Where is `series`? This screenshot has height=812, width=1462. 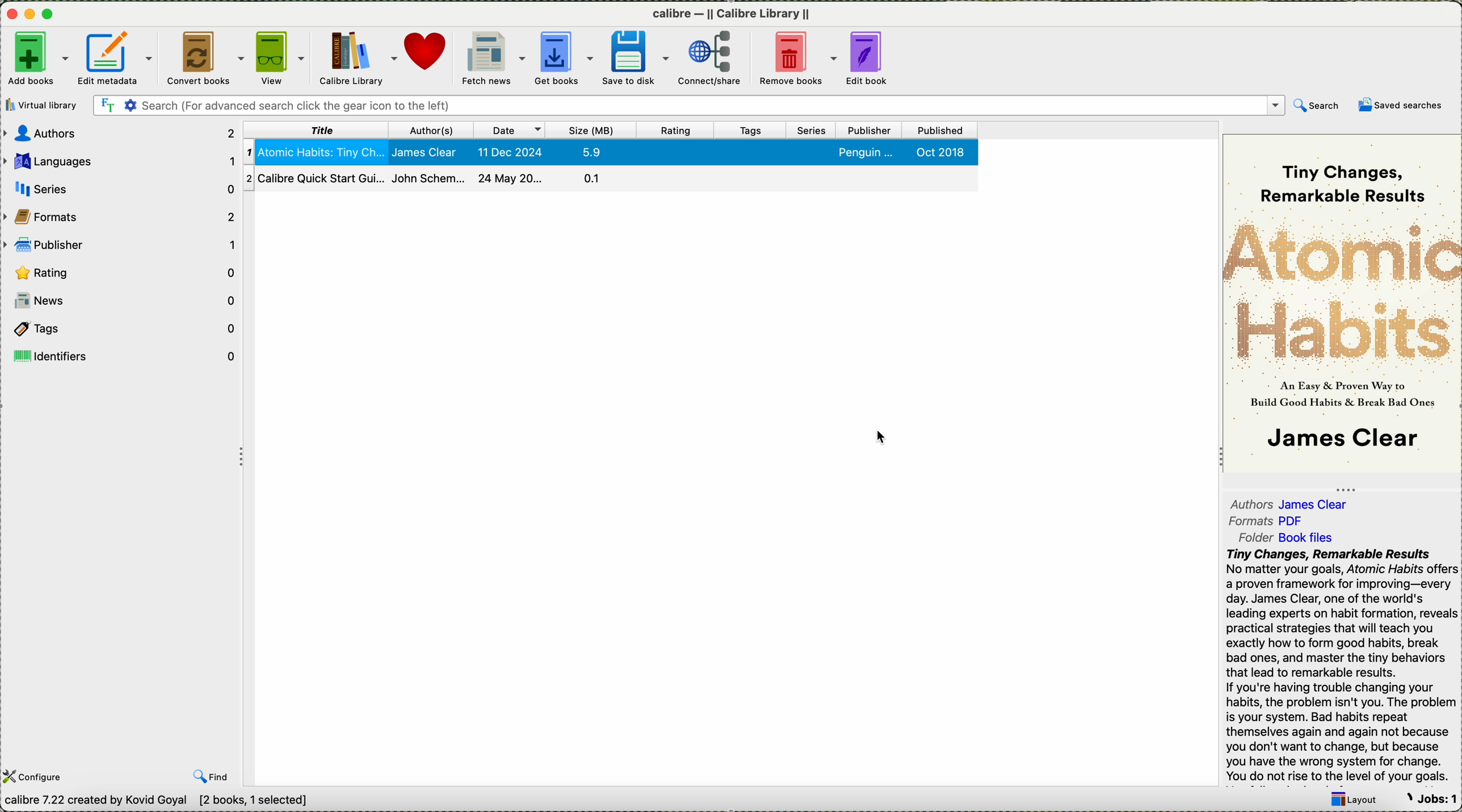 series is located at coordinates (812, 129).